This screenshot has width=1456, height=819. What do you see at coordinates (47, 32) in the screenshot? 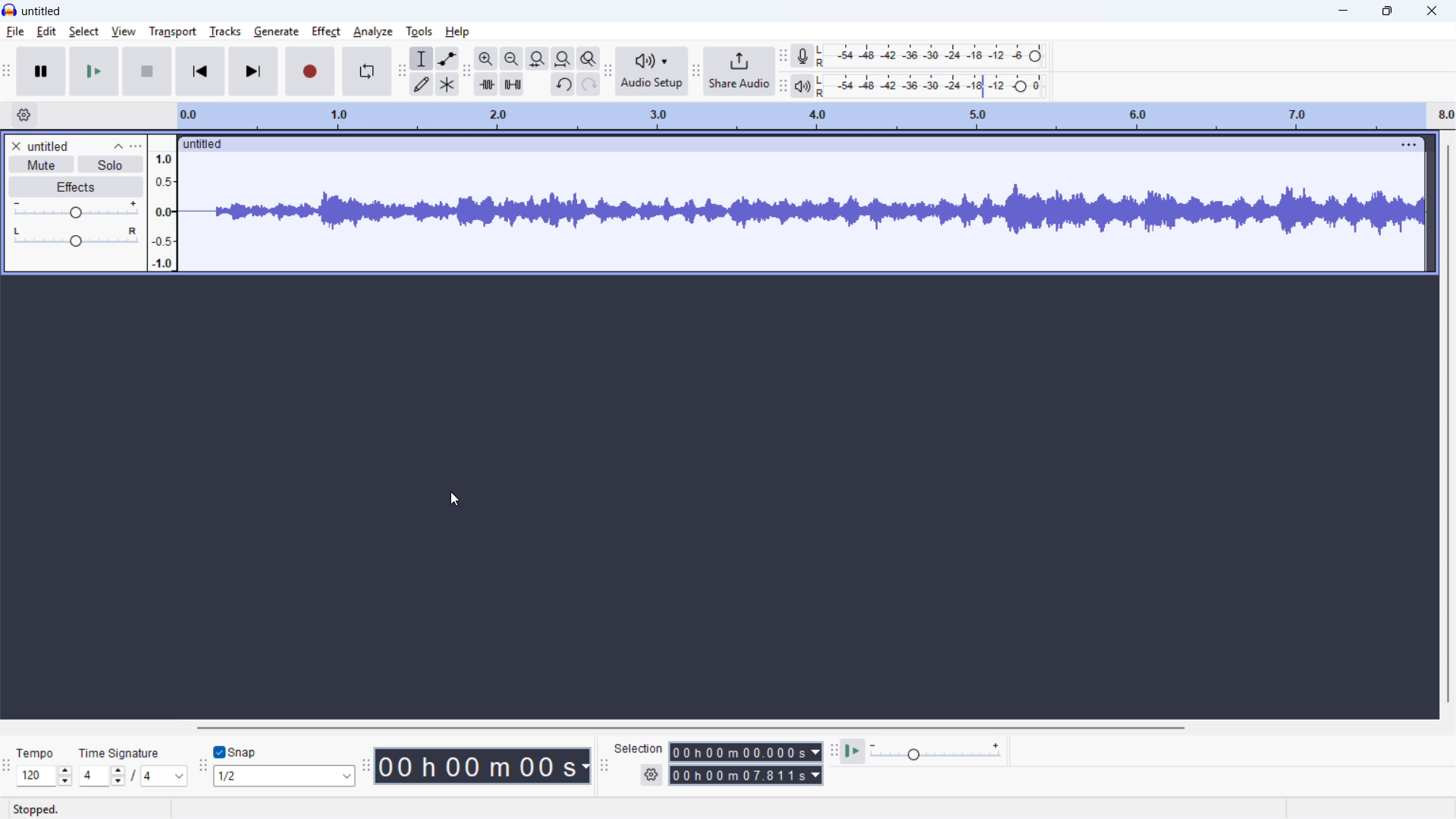
I see `edit` at bounding box center [47, 32].